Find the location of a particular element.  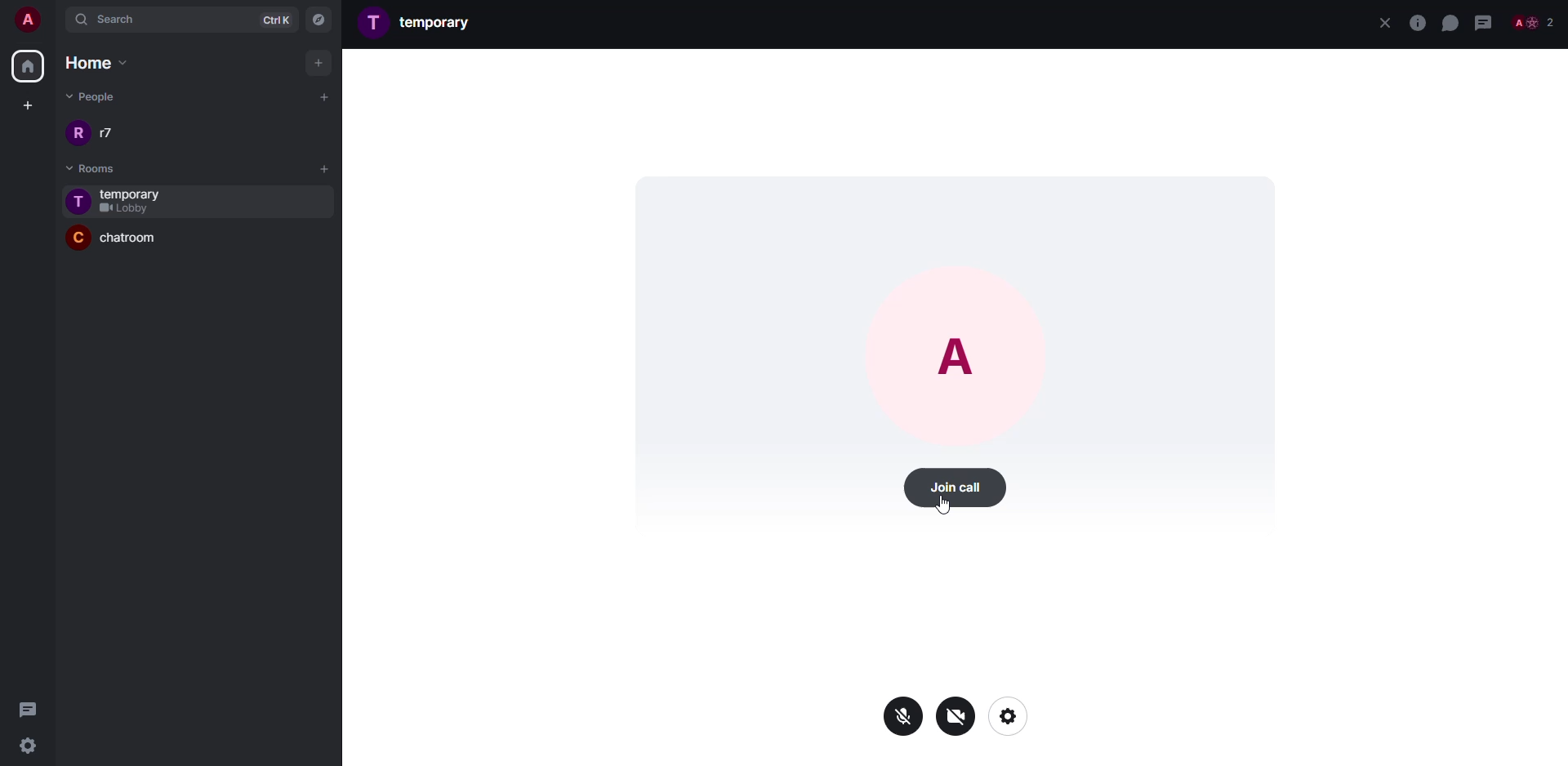

people is located at coordinates (111, 133).